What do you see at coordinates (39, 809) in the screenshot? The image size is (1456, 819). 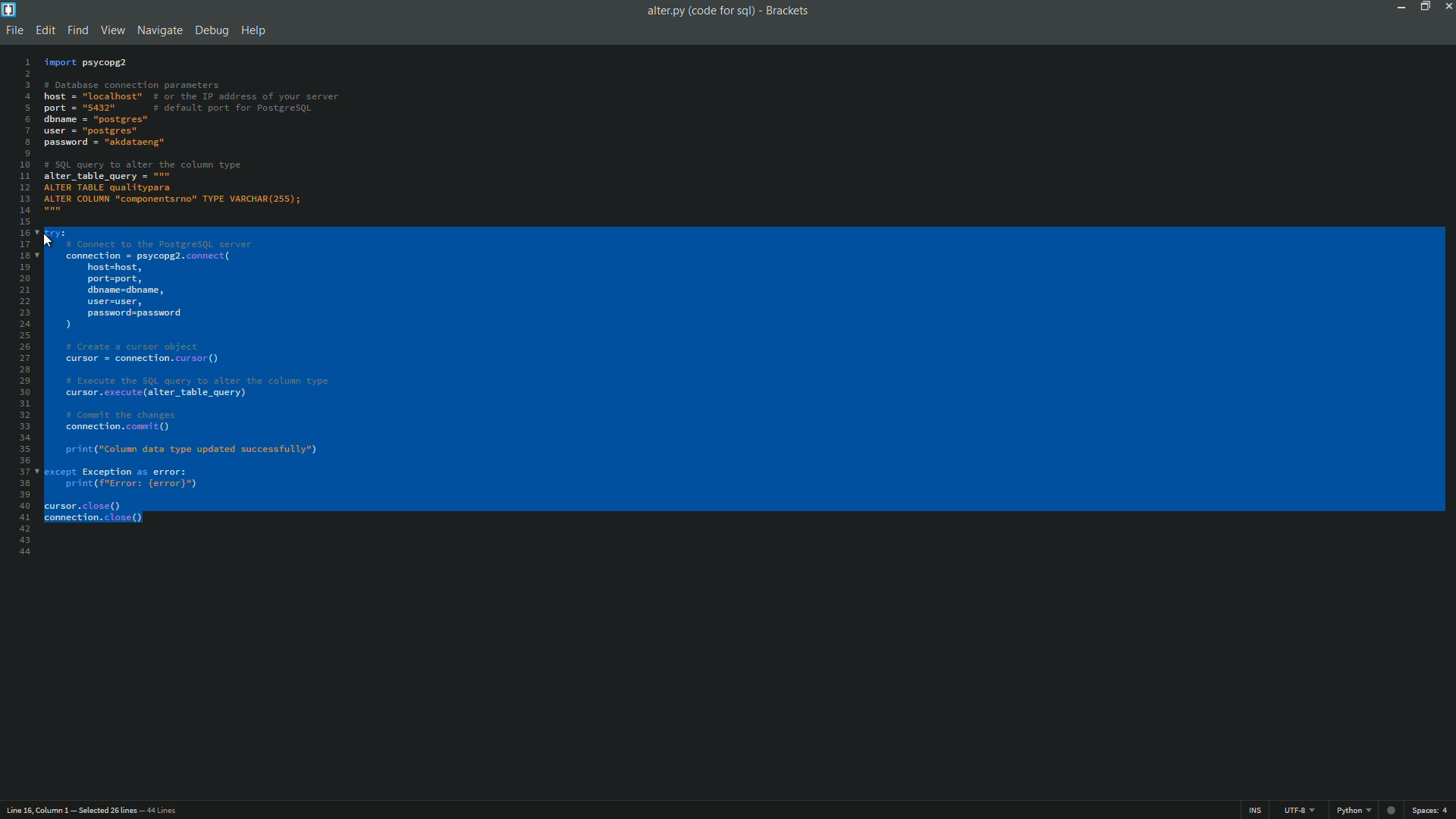 I see `cursor position` at bounding box center [39, 809].